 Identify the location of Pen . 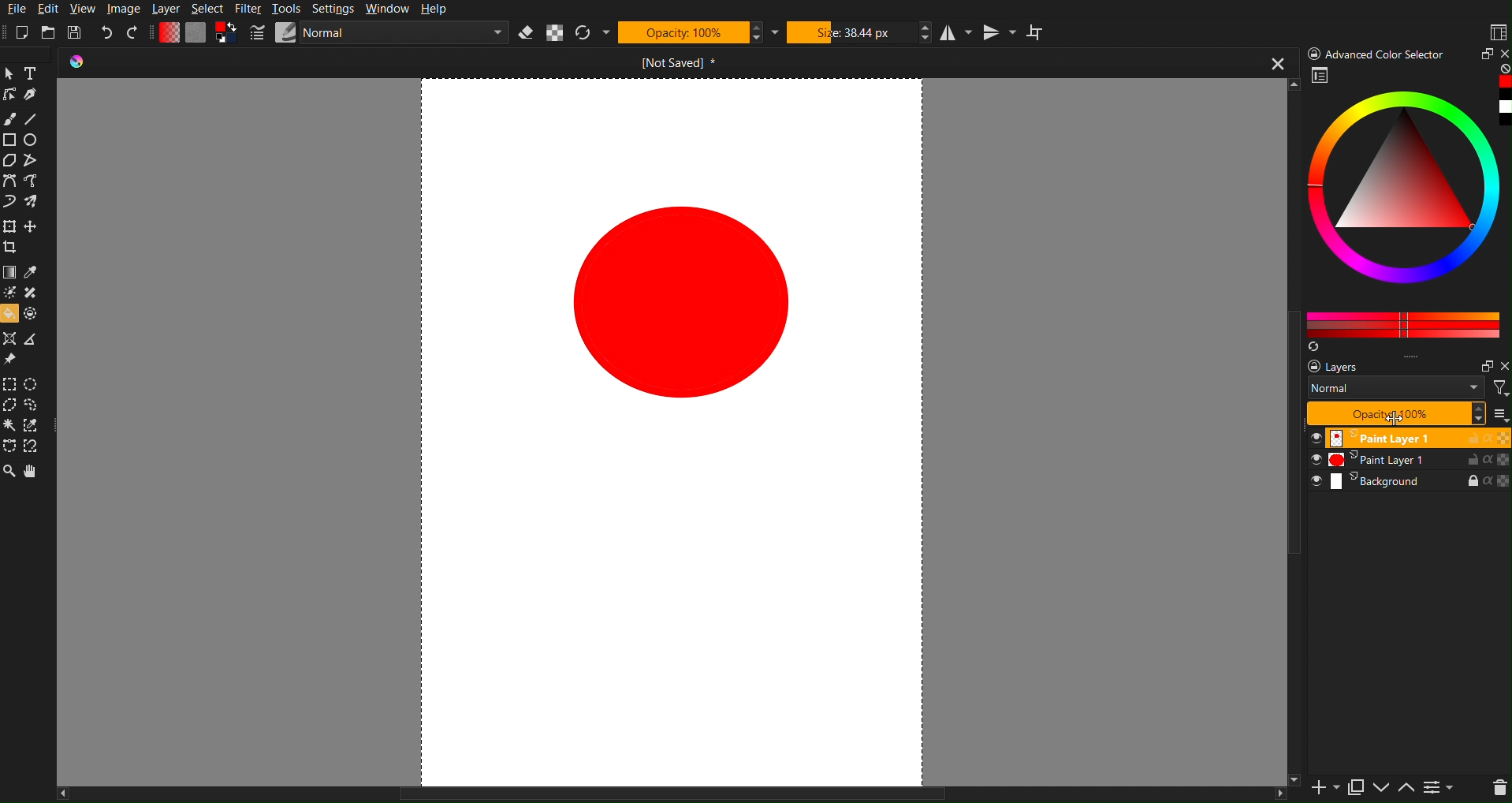
(35, 96).